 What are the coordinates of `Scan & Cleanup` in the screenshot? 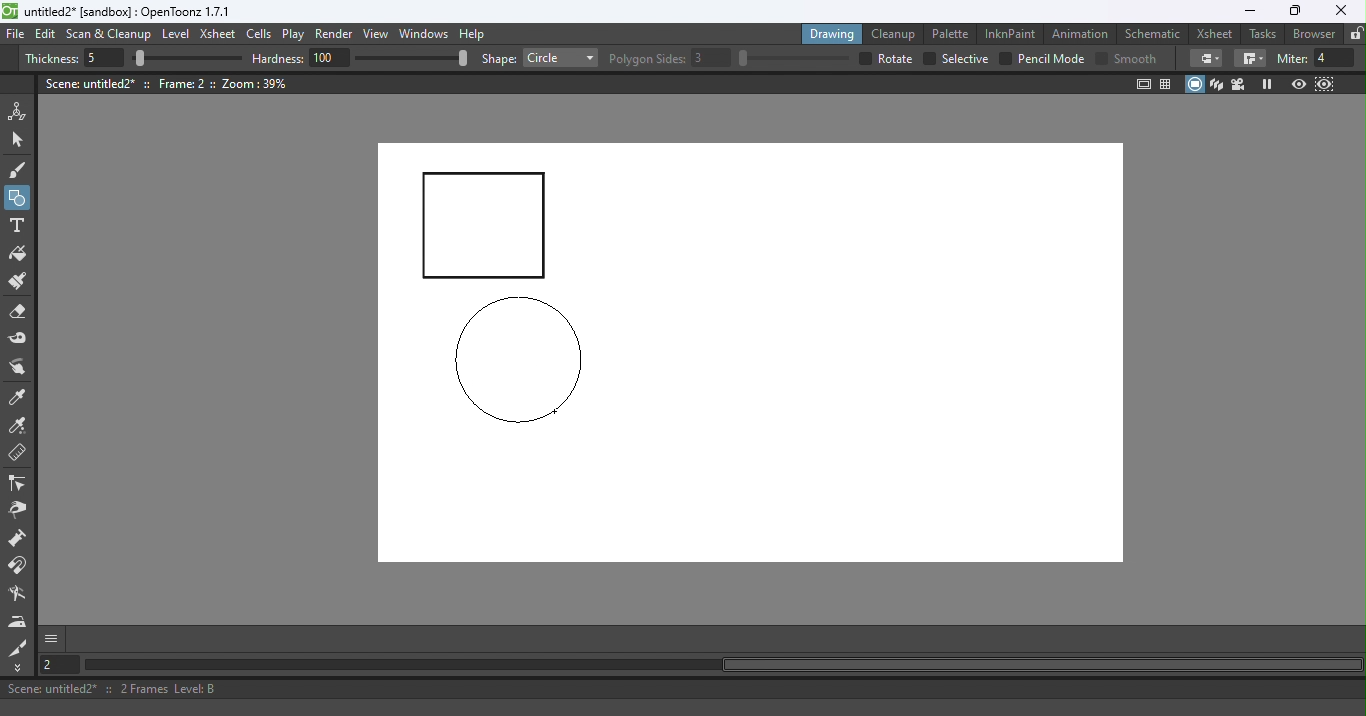 It's located at (109, 36).